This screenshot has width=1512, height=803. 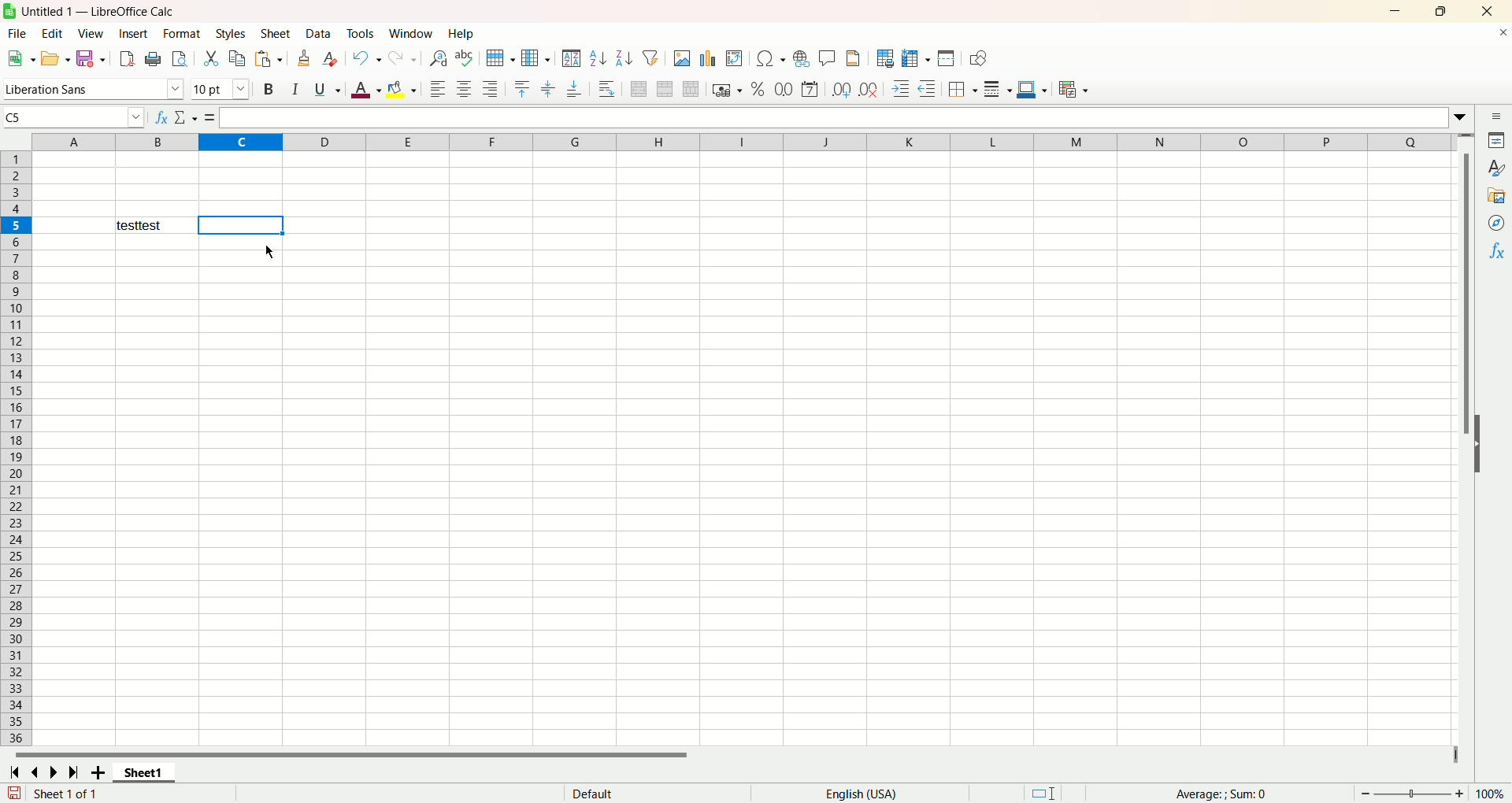 I want to click on border style, so click(x=999, y=90).